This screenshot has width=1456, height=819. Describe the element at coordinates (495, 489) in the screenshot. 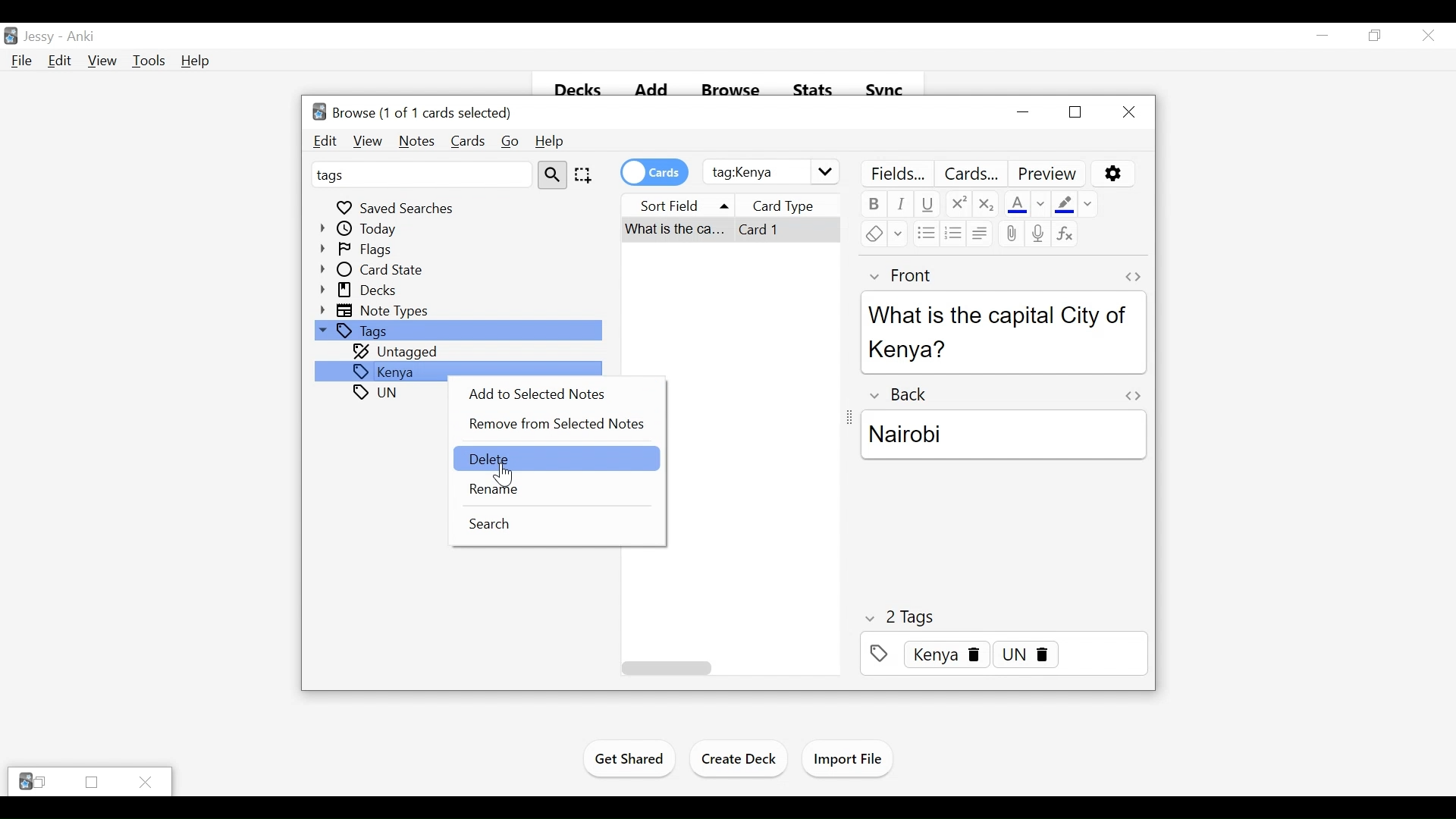

I see `Rename` at that location.